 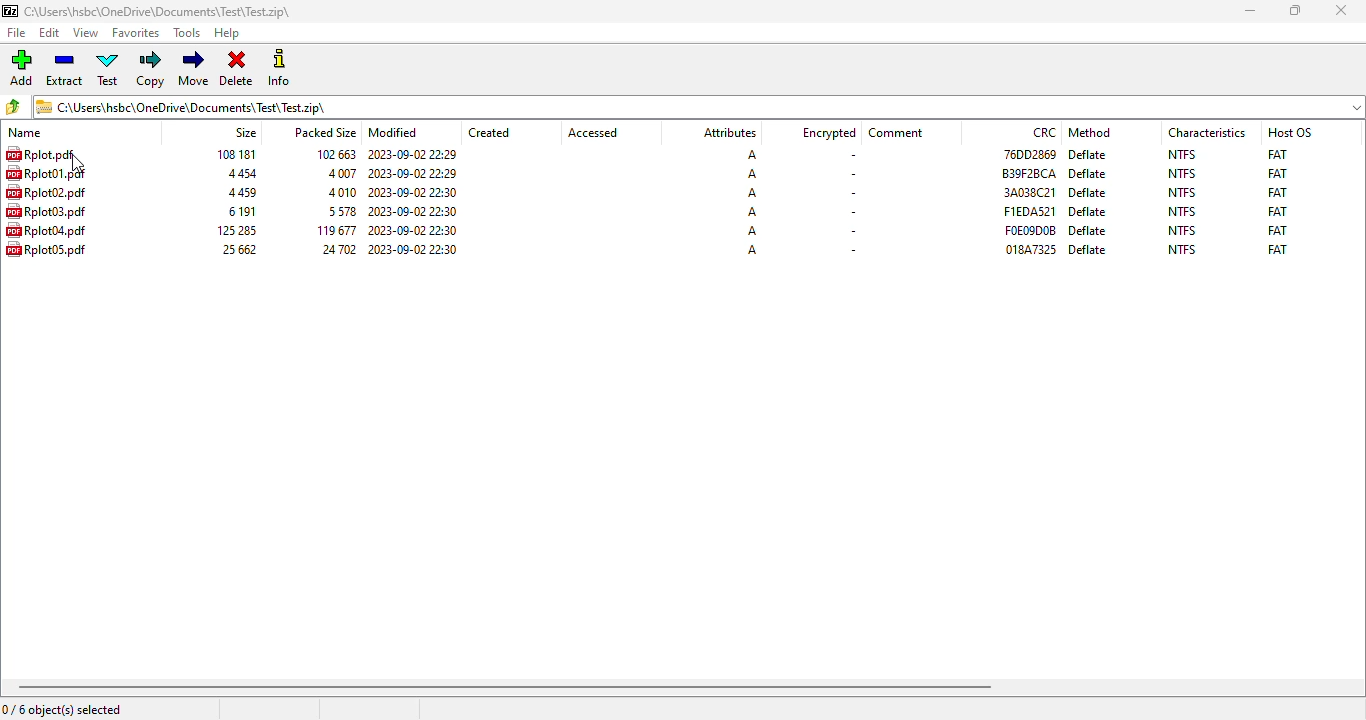 I want to click on modified date & time, so click(x=413, y=173).